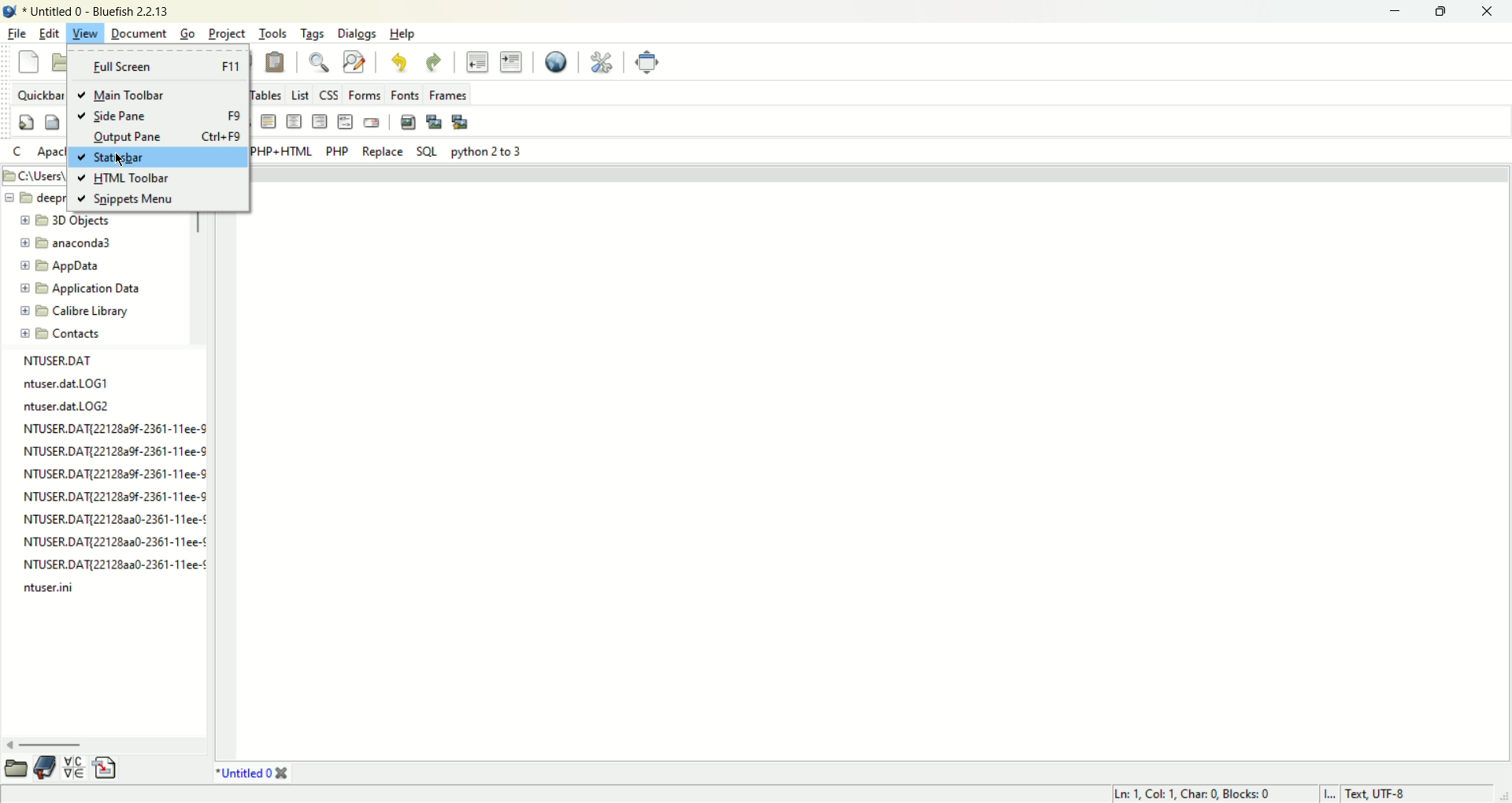 The height and width of the screenshot is (803, 1512). What do you see at coordinates (344, 122) in the screenshot?
I see `html comment` at bounding box center [344, 122].